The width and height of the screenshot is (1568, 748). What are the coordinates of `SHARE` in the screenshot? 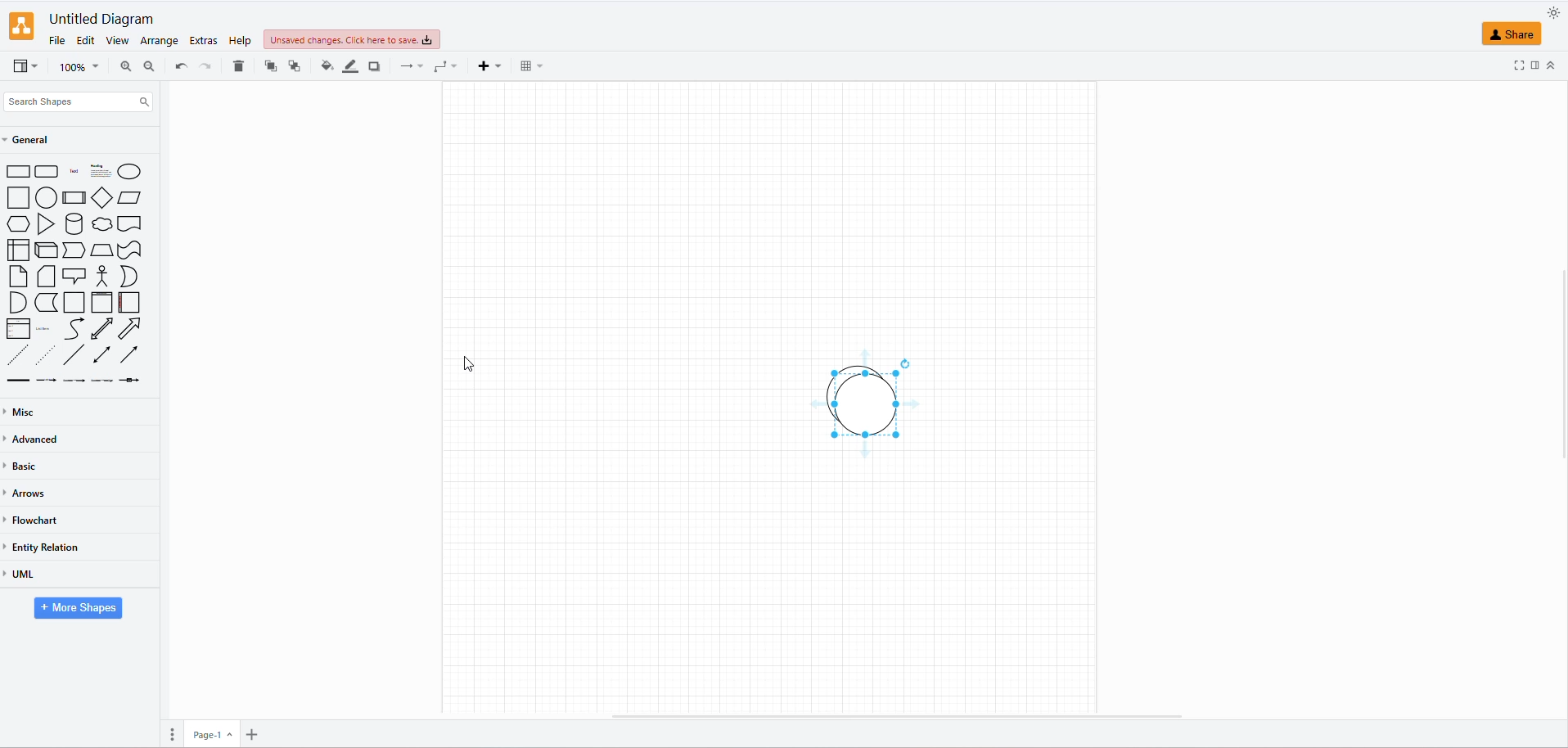 It's located at (1513, 34).